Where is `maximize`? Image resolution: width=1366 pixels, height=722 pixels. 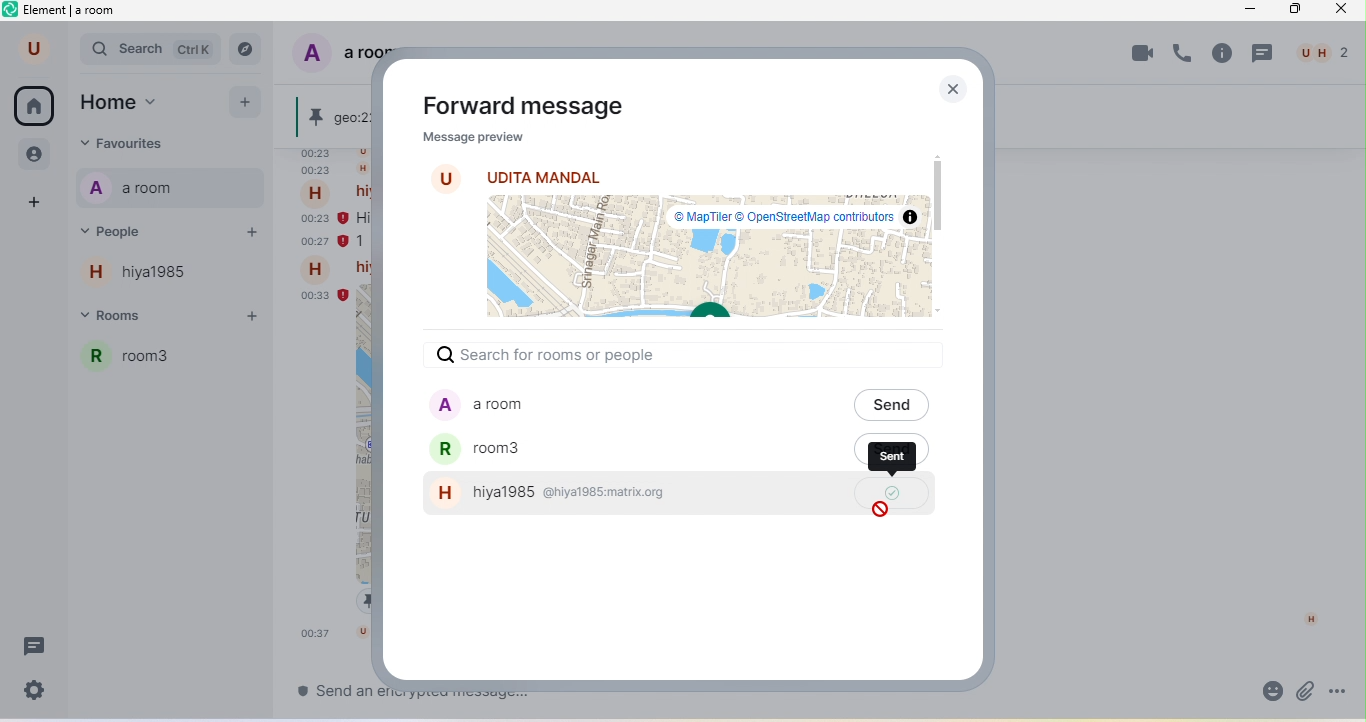 maximize is located at coordinates (1296, 10).